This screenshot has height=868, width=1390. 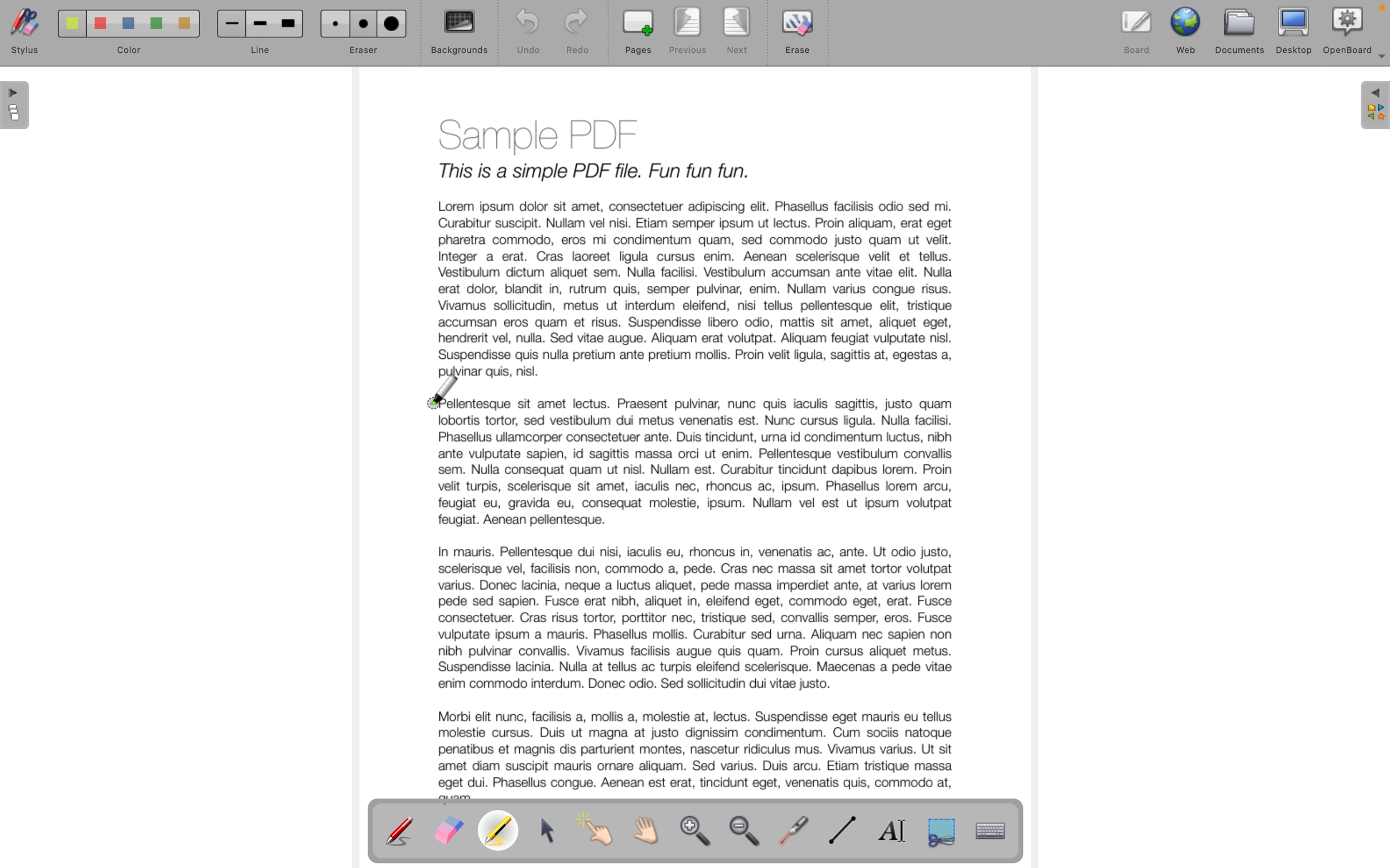 I want to click on redo, so click(x=577, y=33).